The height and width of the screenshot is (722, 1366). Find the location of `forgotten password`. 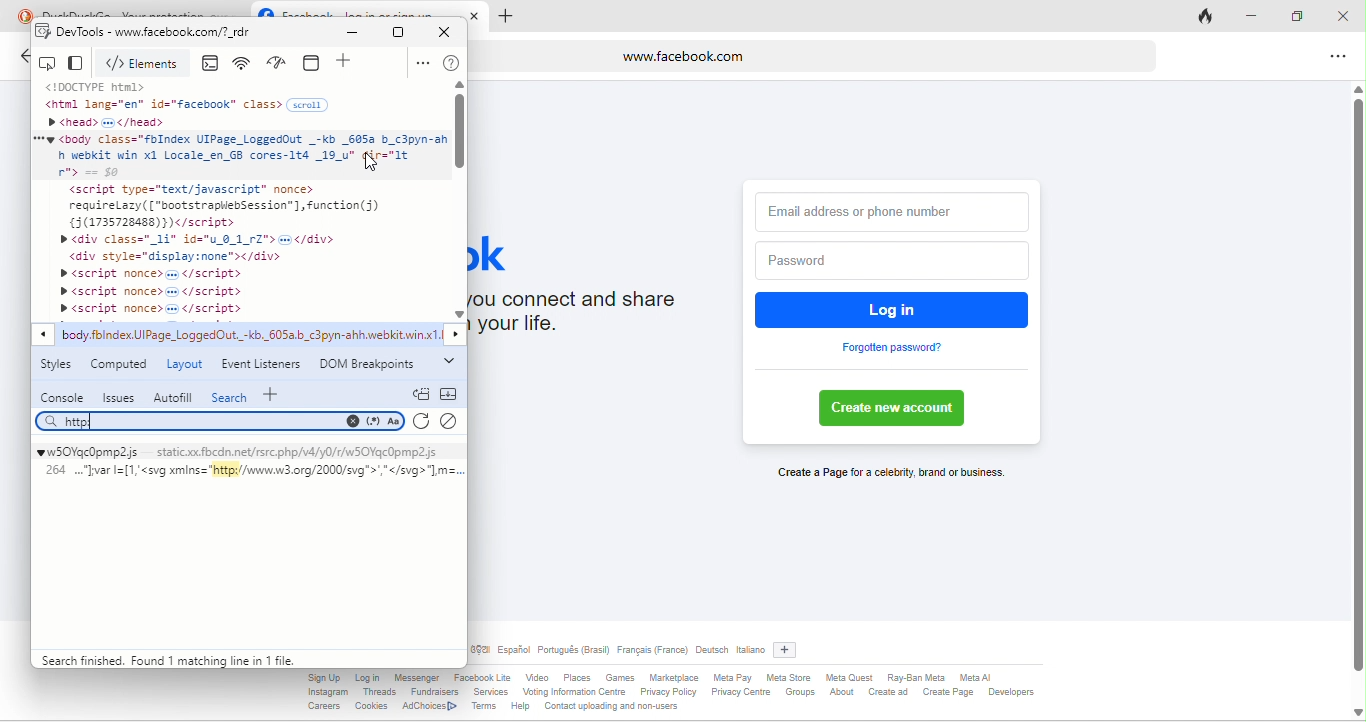

forgotten password is located at coordinates (893, 348).